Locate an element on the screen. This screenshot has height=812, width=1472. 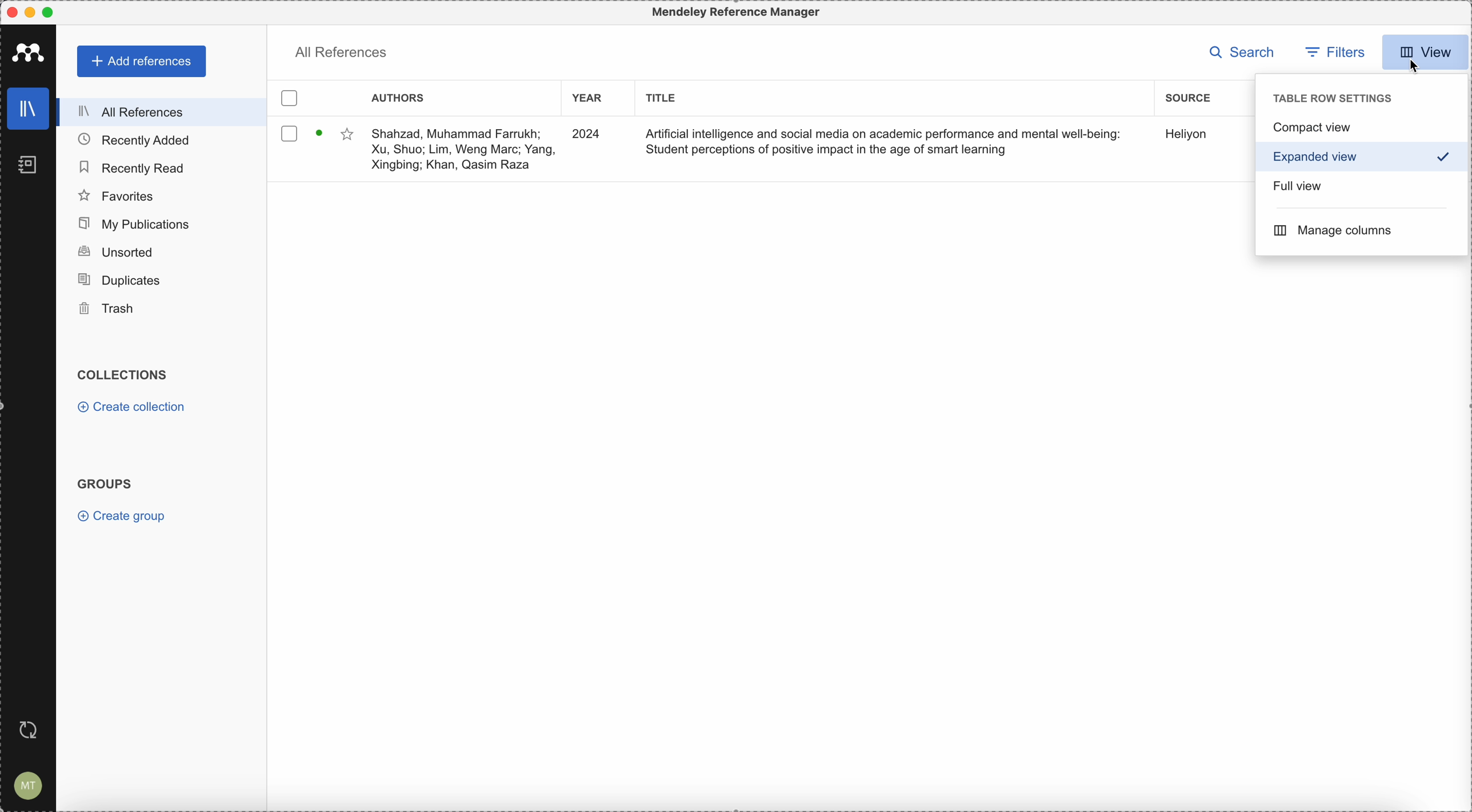
click on view is located at coordinates (1426, 47).